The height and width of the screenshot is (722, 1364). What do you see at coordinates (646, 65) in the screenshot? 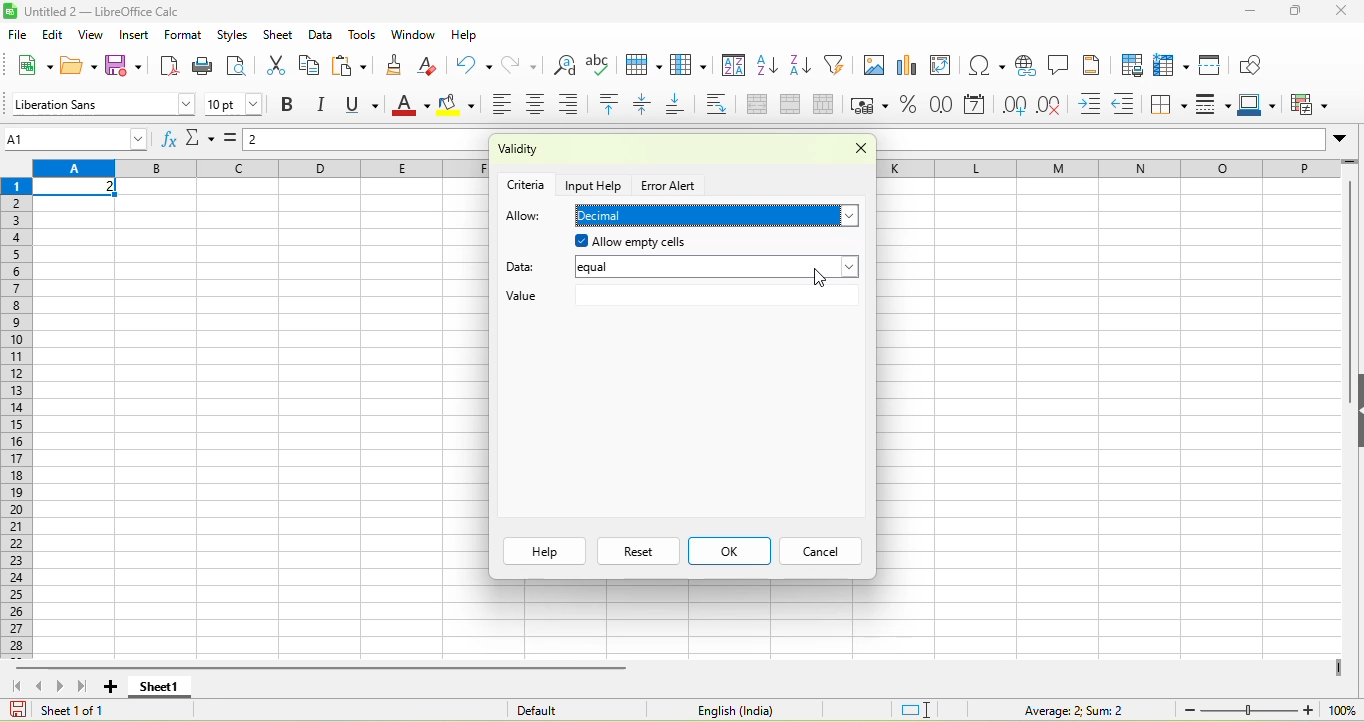
I see `row` at bounding box center [646, 65].